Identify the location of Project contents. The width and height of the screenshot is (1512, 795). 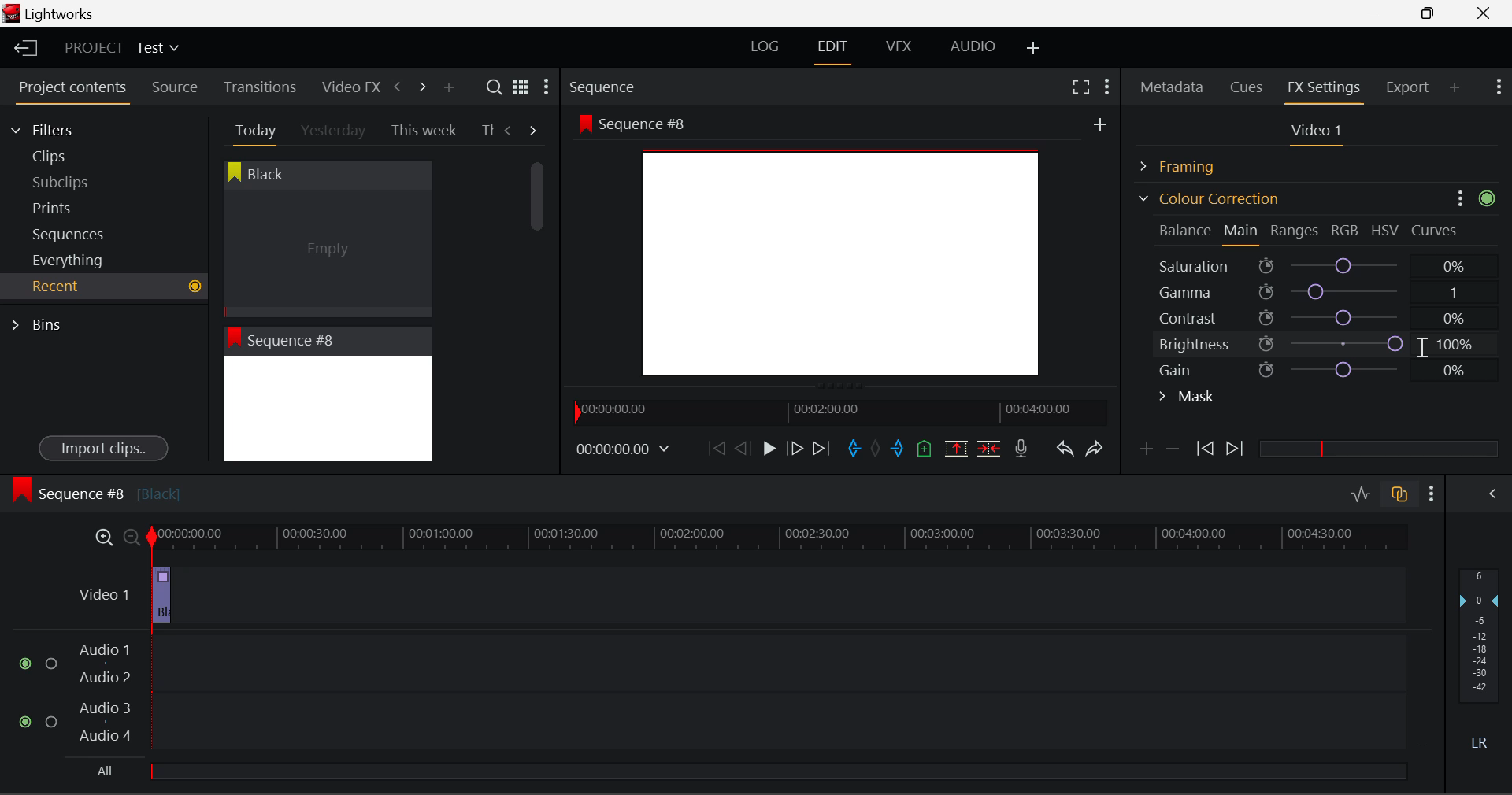
(72, 91).